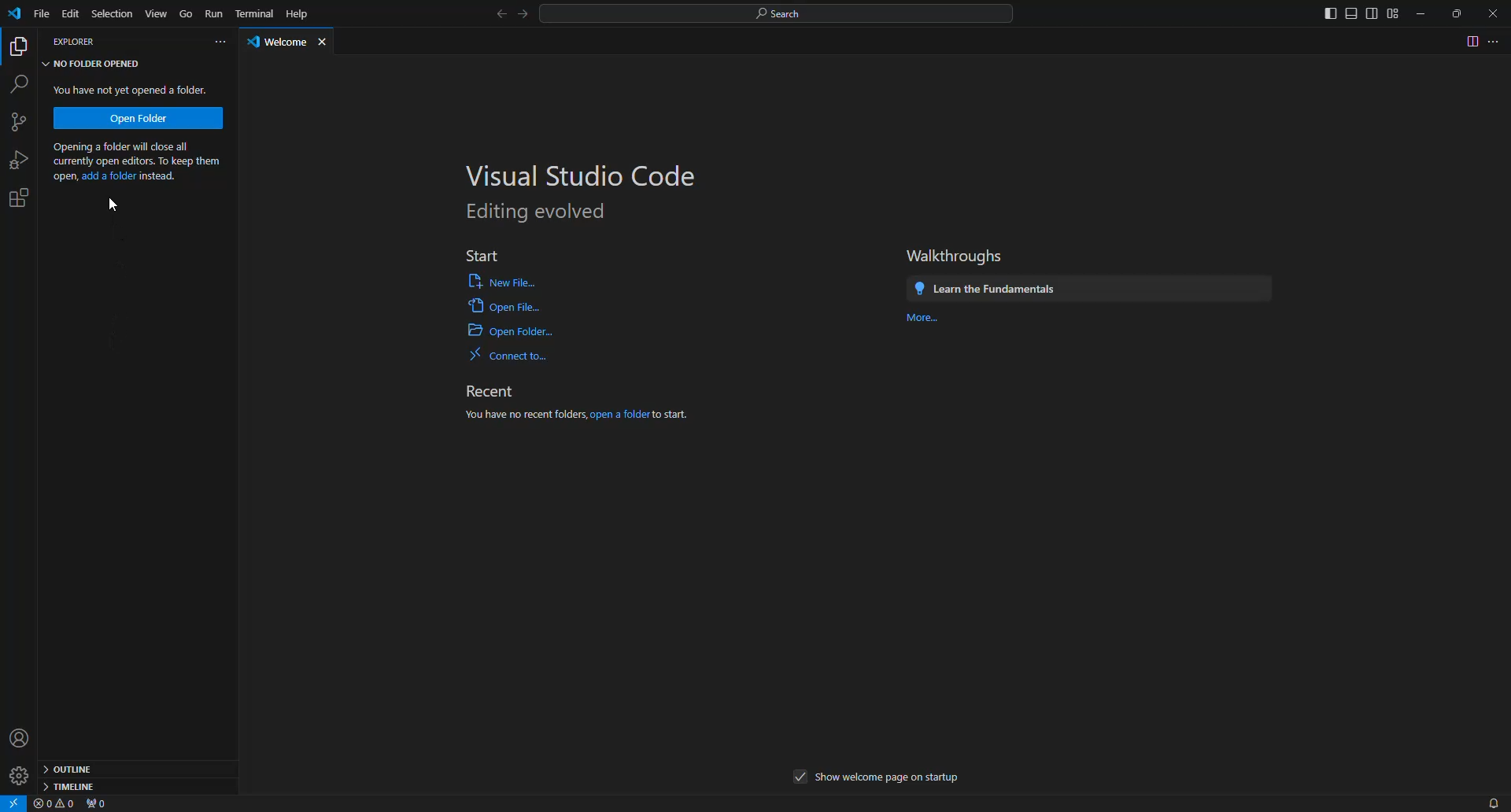 This screenshot has height=812, width=1511. Describe the element at coordinates (114, 205) in the screenshot. I see `cursor` at that location.